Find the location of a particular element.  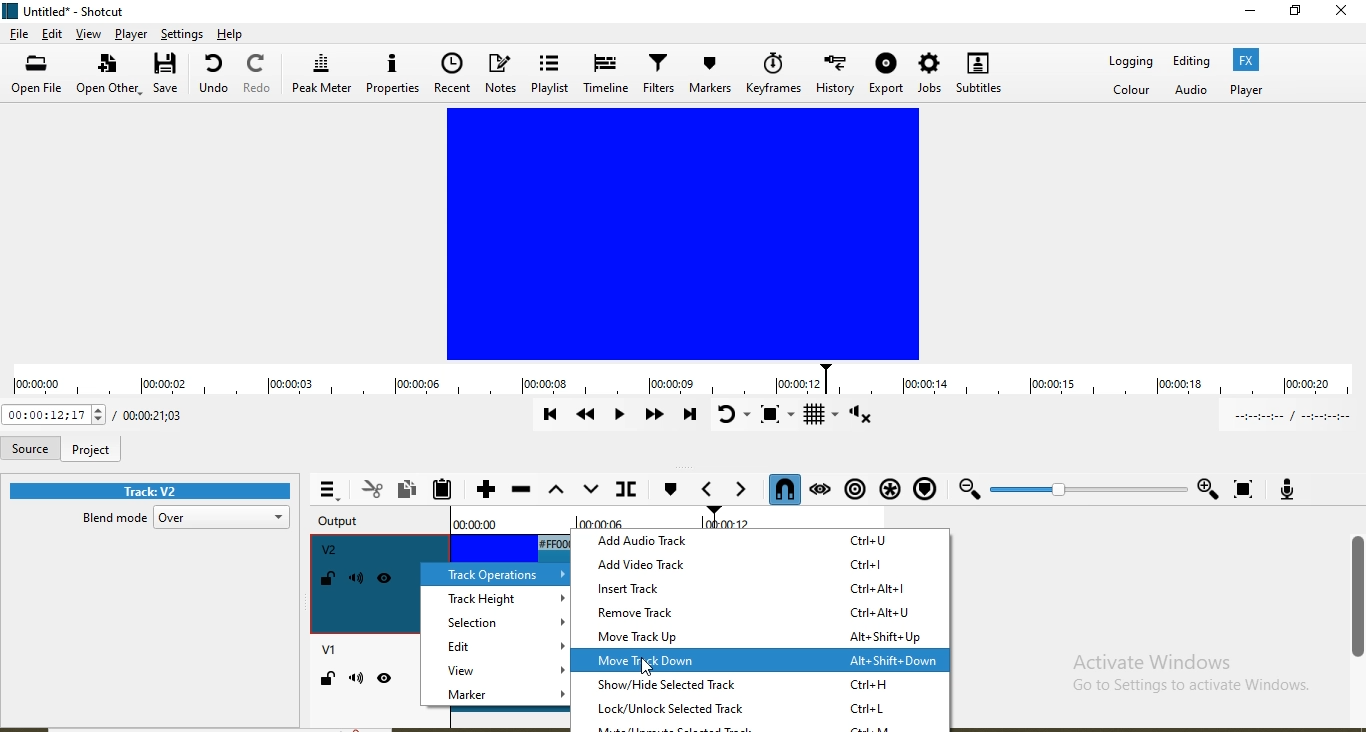

Playlist is located at coordinates (553, 77).